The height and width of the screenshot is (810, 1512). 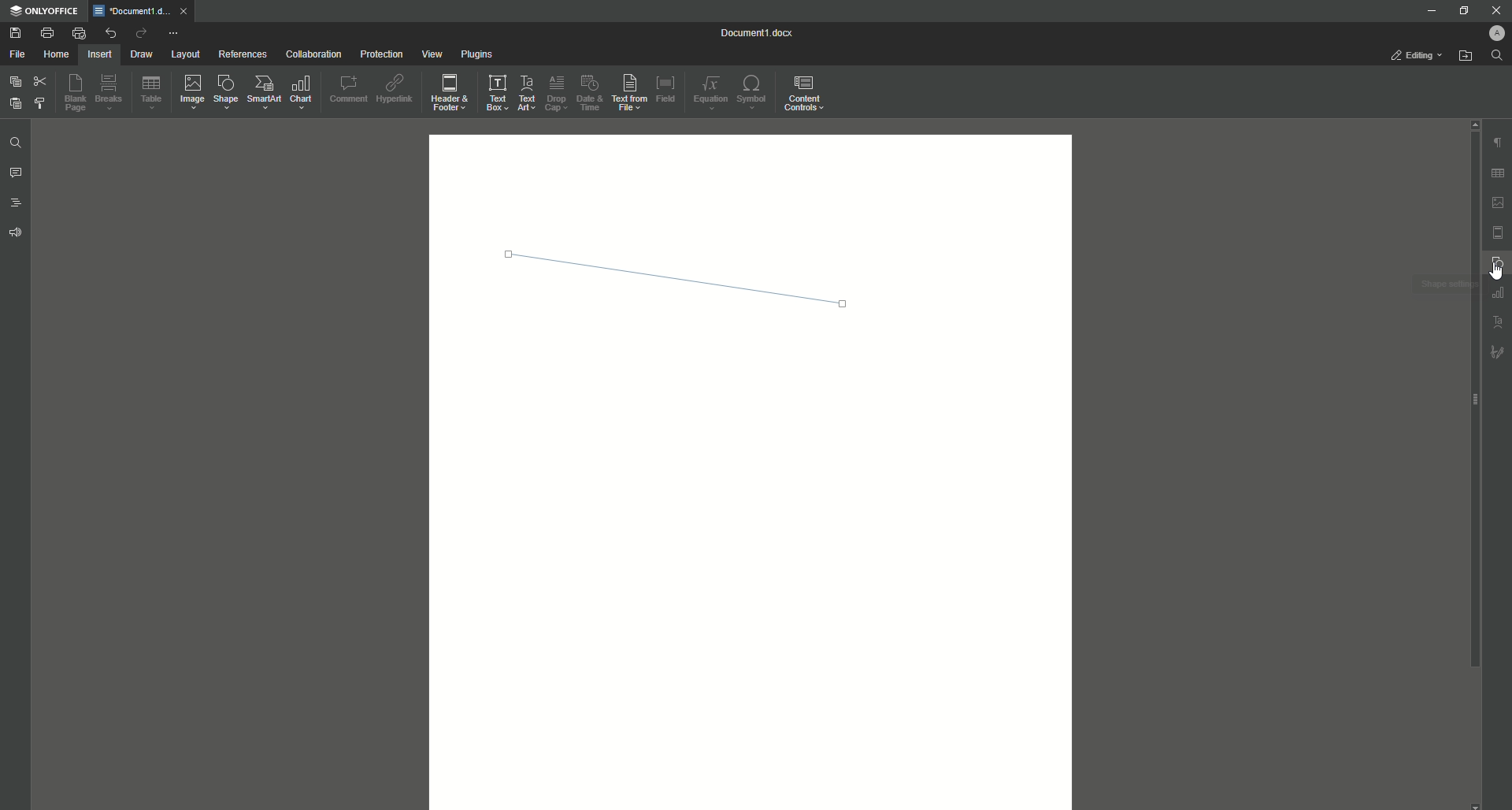 What do you see at coordinates (302, 92) in the screenshot?
I see `Chart` at bounding box center [302, 92].